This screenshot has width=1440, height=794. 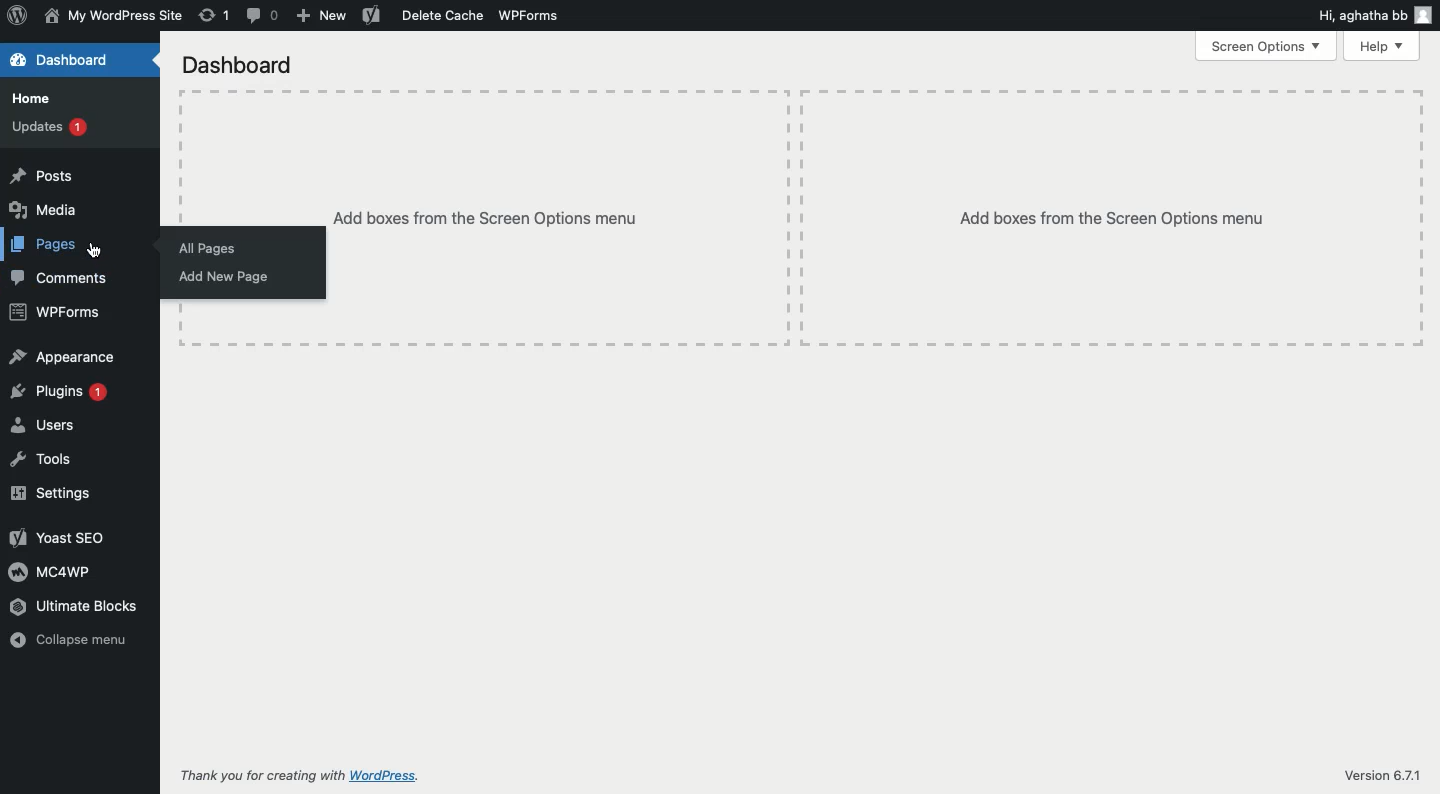 I want to click on Media, so click(x=46, y=212).